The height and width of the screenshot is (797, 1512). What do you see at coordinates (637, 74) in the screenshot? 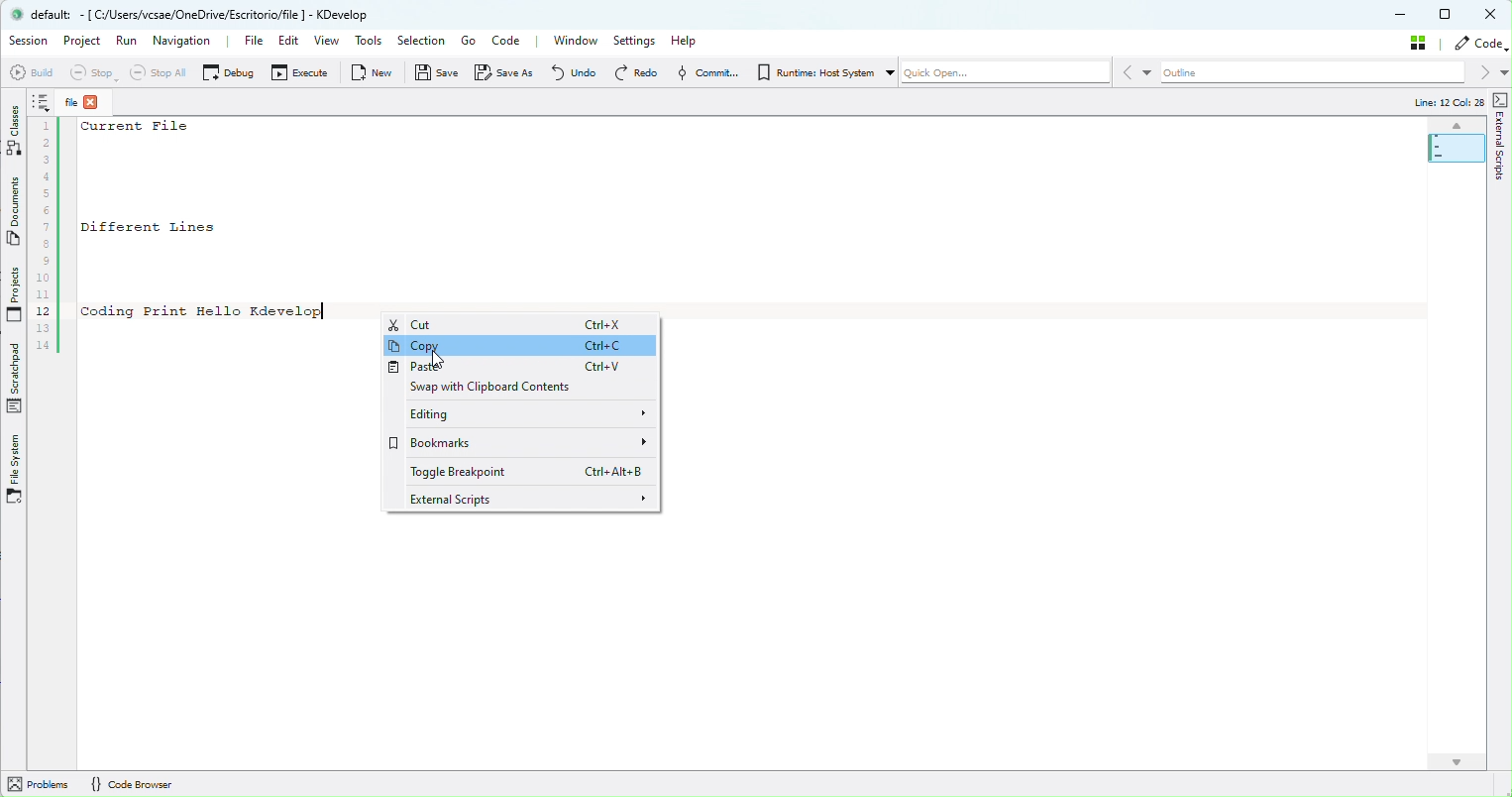
I see `Redo` at bounding box center [637, 74].